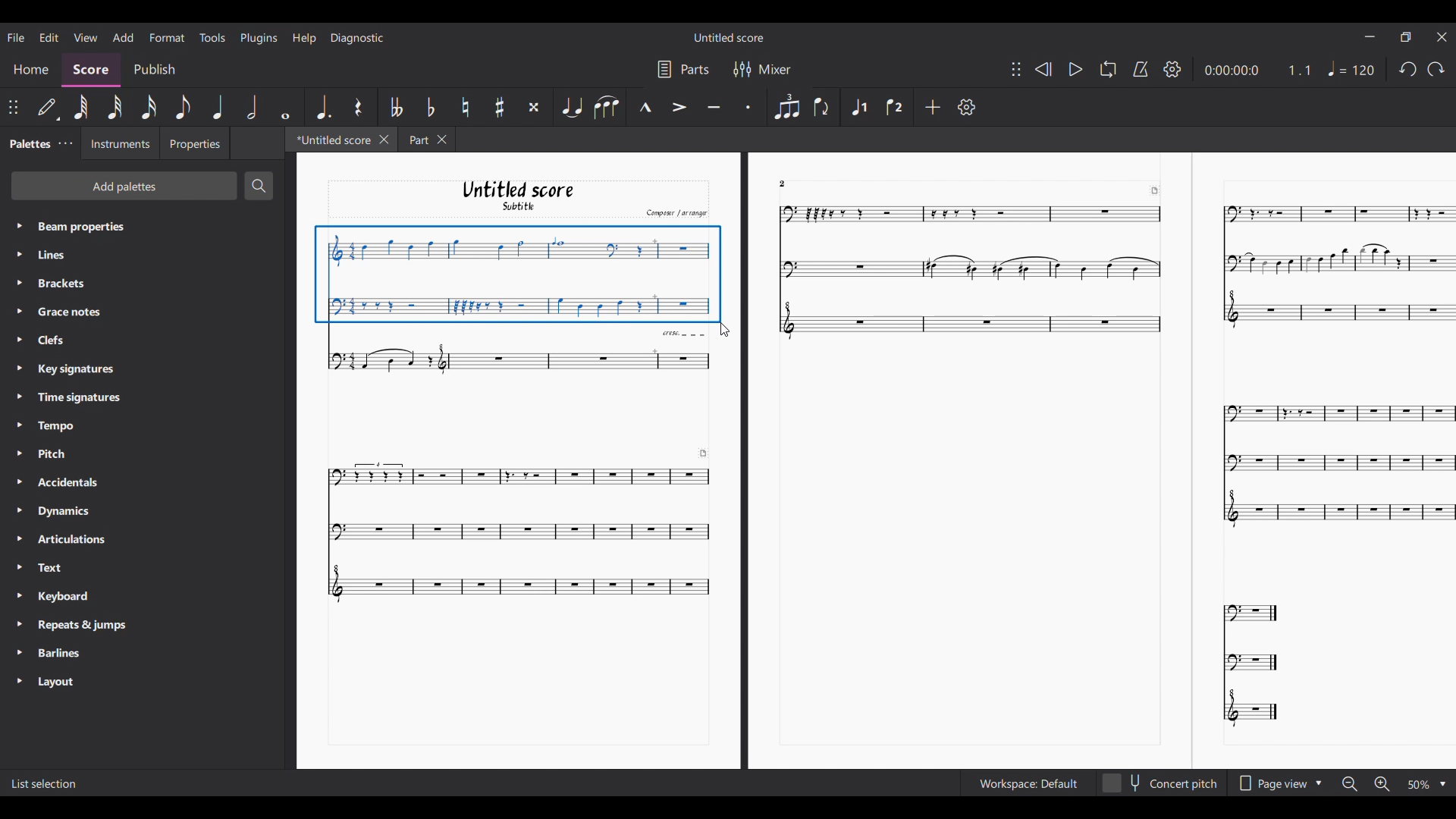 The width and height of the screenshot is (1456, 819). What do you see at coordinates (17, 512) in the screenshot?
I see `` at bounding box center [17, 512].